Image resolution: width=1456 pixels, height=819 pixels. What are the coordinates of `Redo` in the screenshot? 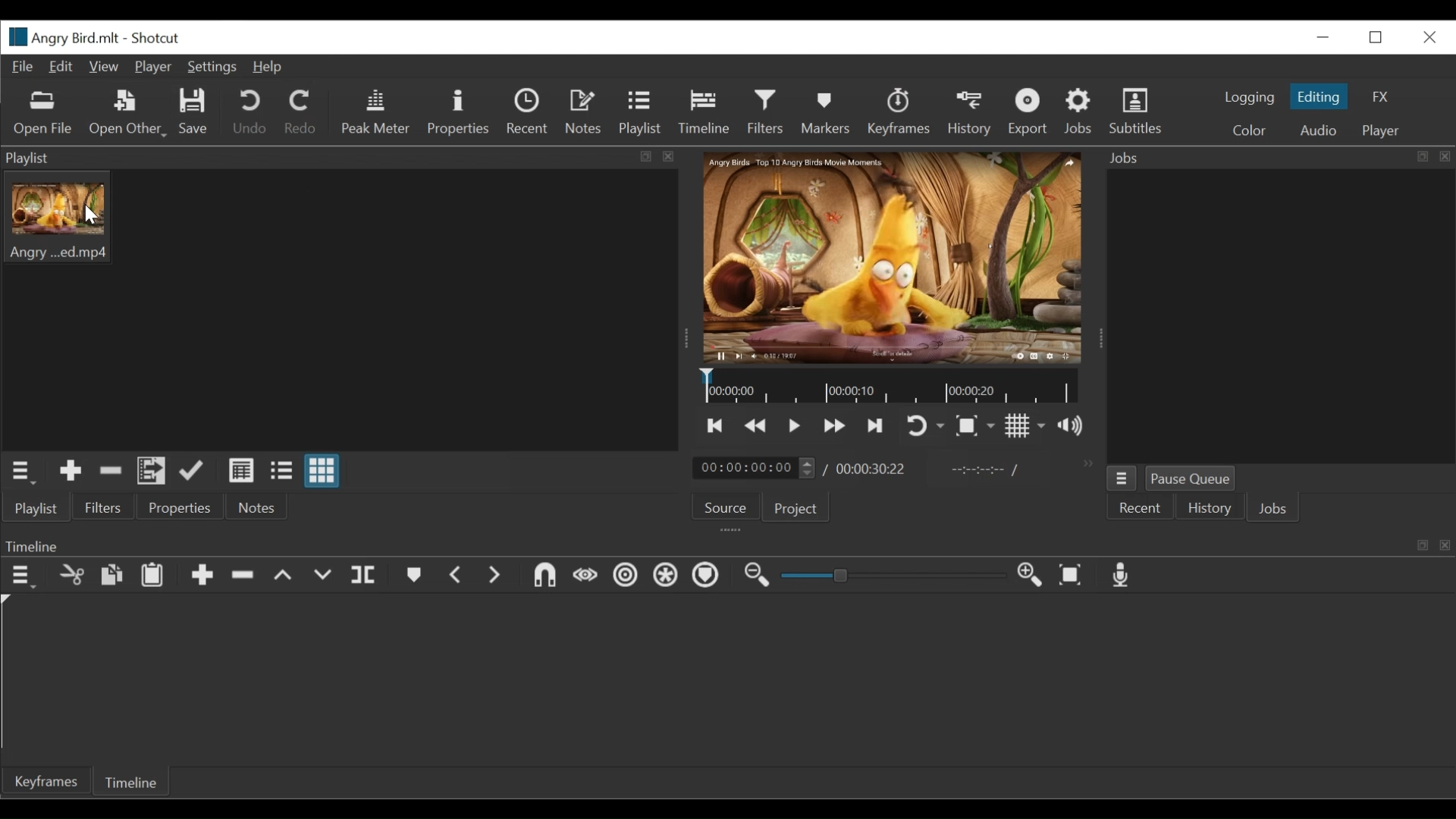 It's located at (302, 111).